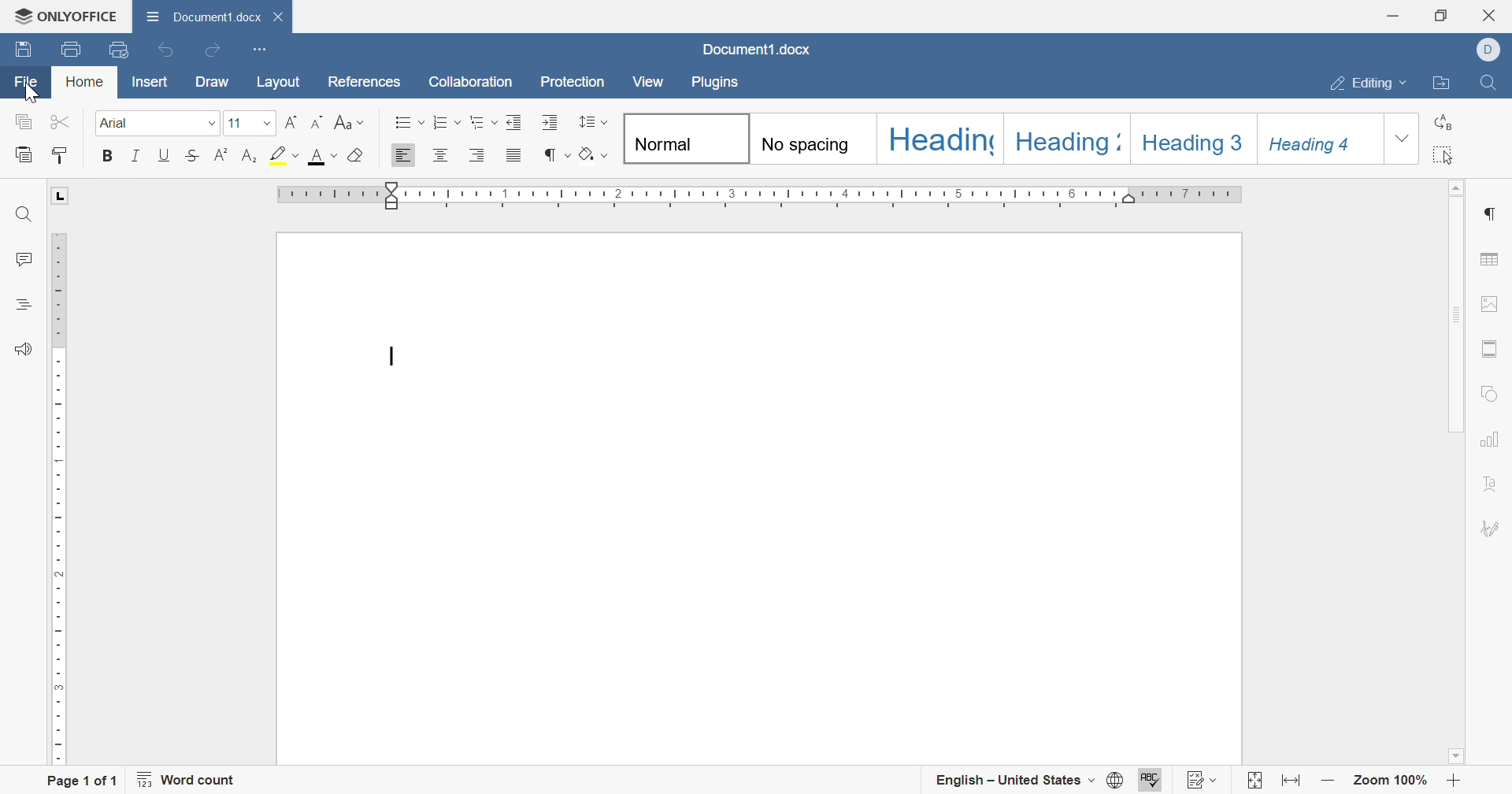  I want to click on find, so click(1491, 84).